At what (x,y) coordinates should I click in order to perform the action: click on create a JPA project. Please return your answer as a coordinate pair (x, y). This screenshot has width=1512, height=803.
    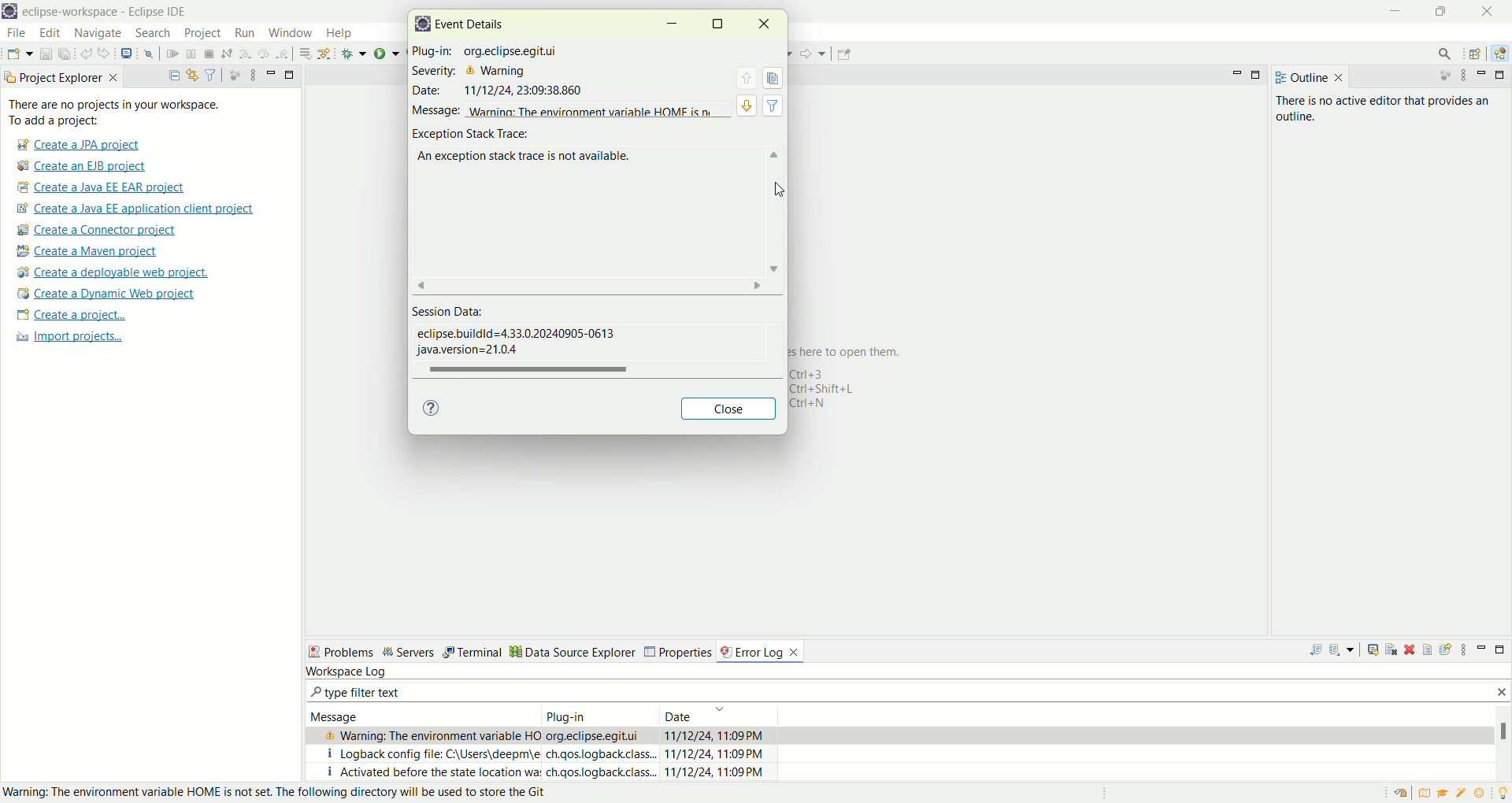
    Looking at the image, I should click on (76, 146).